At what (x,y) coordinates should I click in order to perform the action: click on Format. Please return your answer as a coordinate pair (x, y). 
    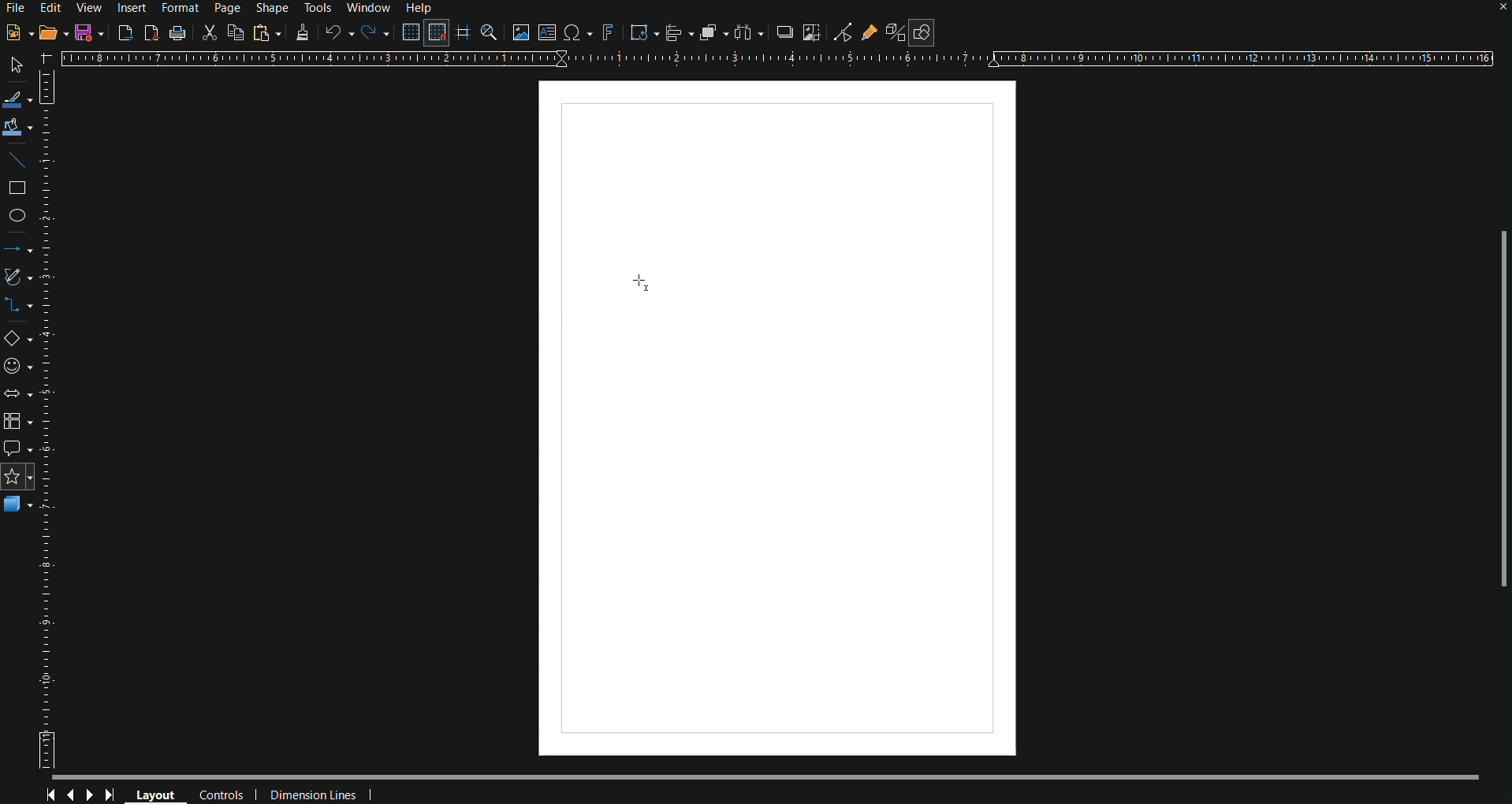
    Looking at the image, I should click on (181, 7).